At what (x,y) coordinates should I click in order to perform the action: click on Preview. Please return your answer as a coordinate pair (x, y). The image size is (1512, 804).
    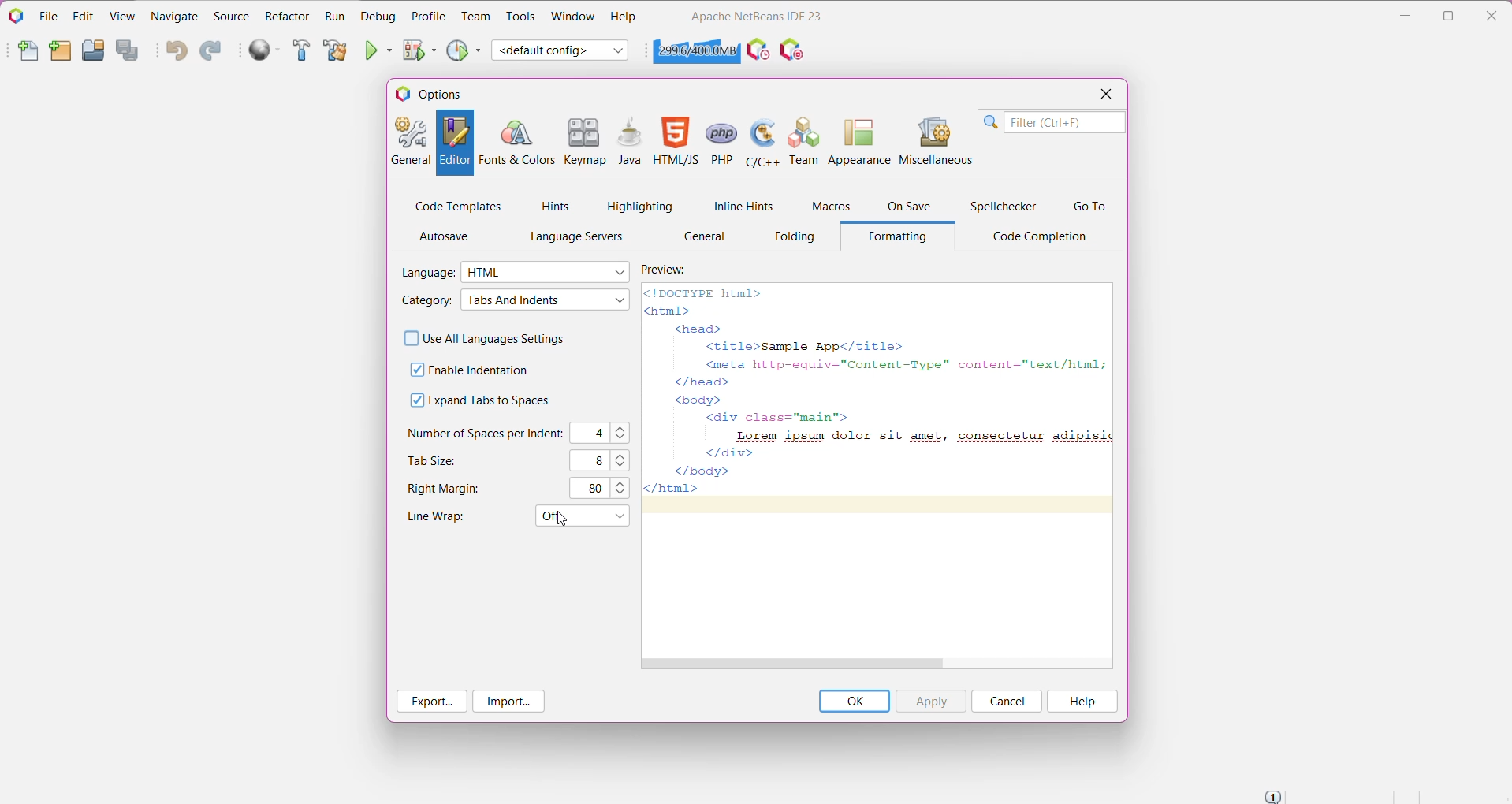
    Looking at the image, I should click on (673, 269).